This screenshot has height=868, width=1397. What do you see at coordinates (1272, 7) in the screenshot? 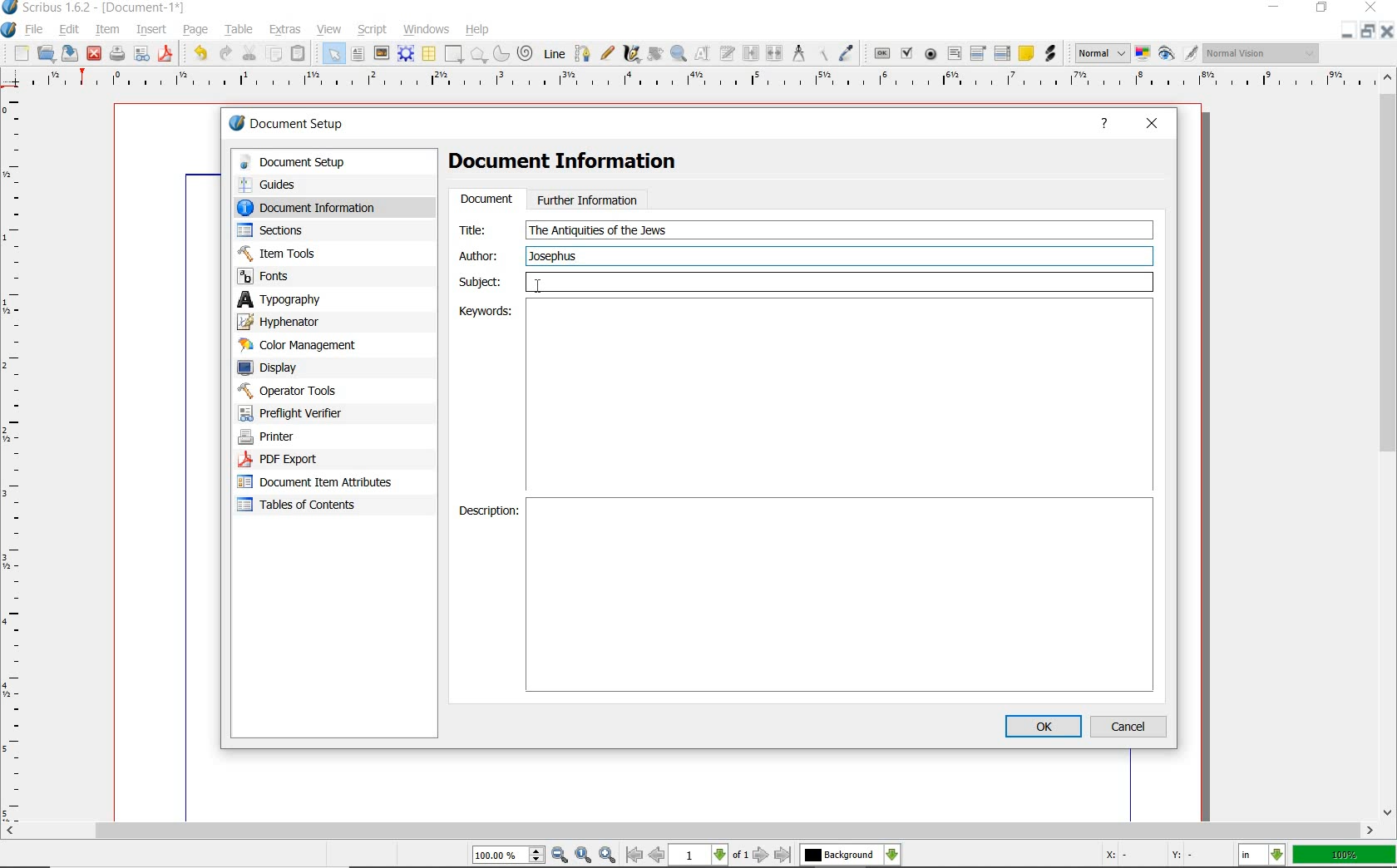
I see `minimize` at bounding box center [1272, 7].